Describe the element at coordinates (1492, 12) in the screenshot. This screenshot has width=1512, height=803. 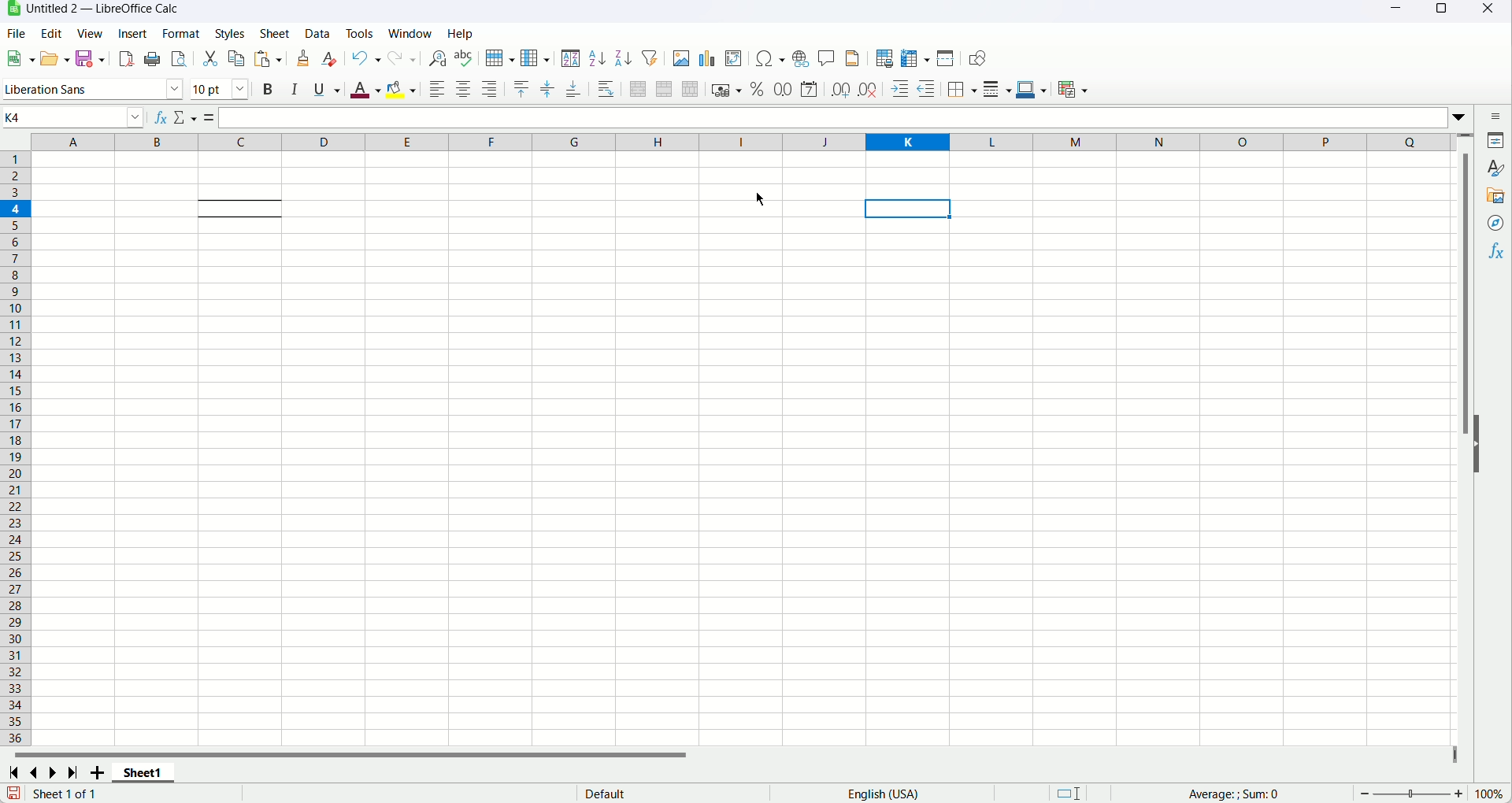
I see `Close` at that location.